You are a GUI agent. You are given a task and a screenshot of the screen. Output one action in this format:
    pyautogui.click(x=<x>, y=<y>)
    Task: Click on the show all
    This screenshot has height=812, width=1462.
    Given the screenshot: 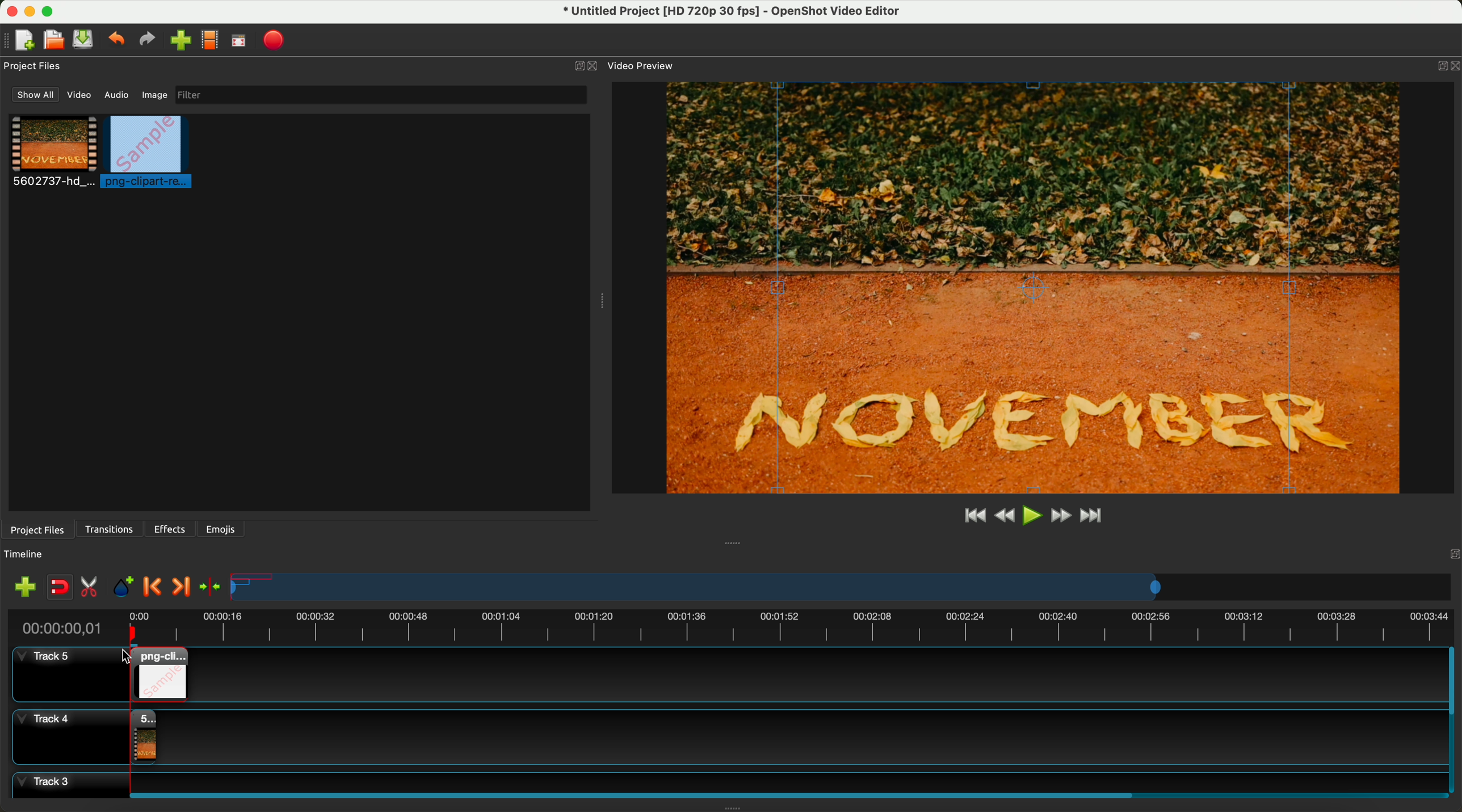 What is the action you would take?
    pyautogui.click(x=36, y=95)
    